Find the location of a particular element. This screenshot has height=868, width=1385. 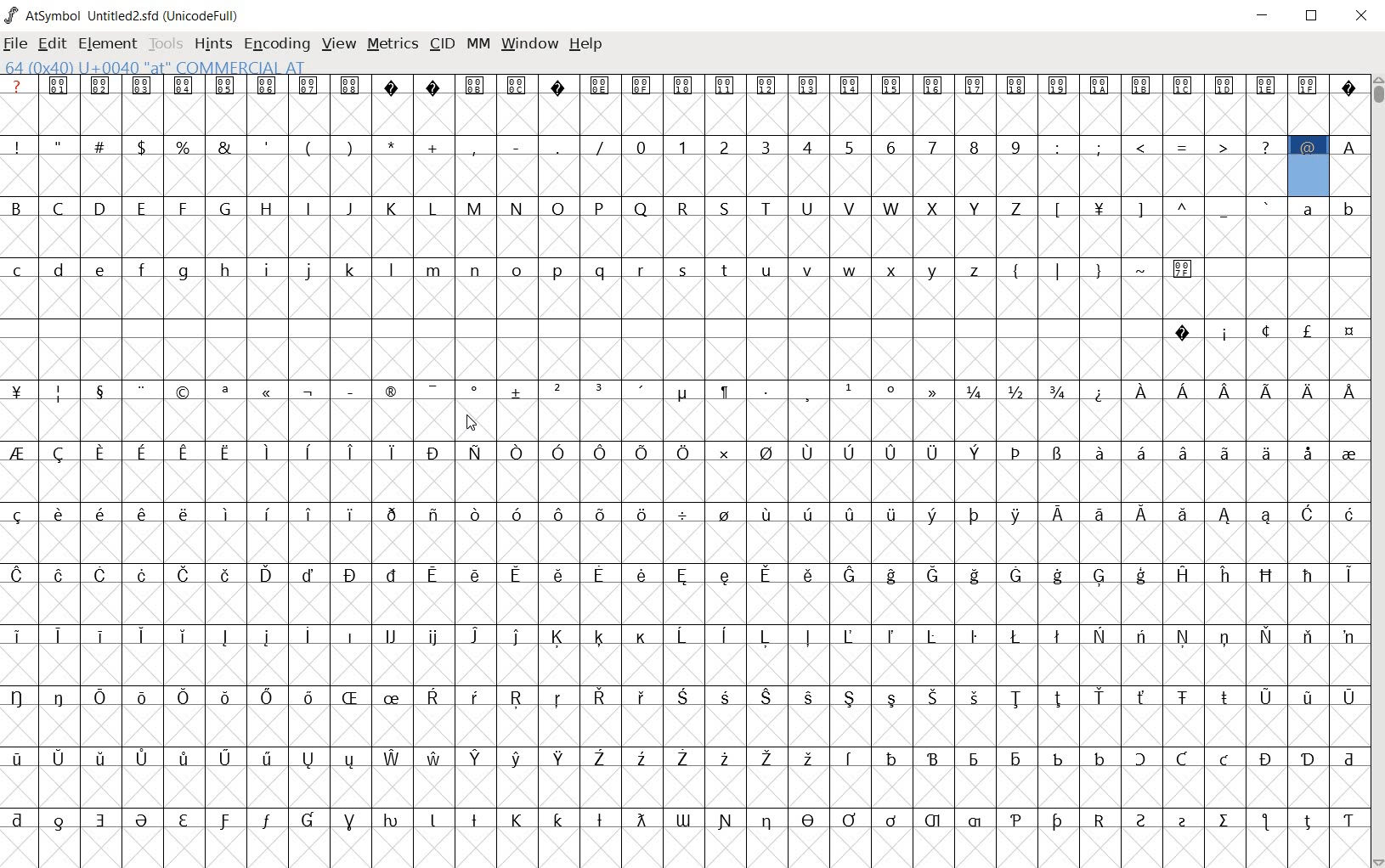

unsupported character is located at coordinates (559, 84).